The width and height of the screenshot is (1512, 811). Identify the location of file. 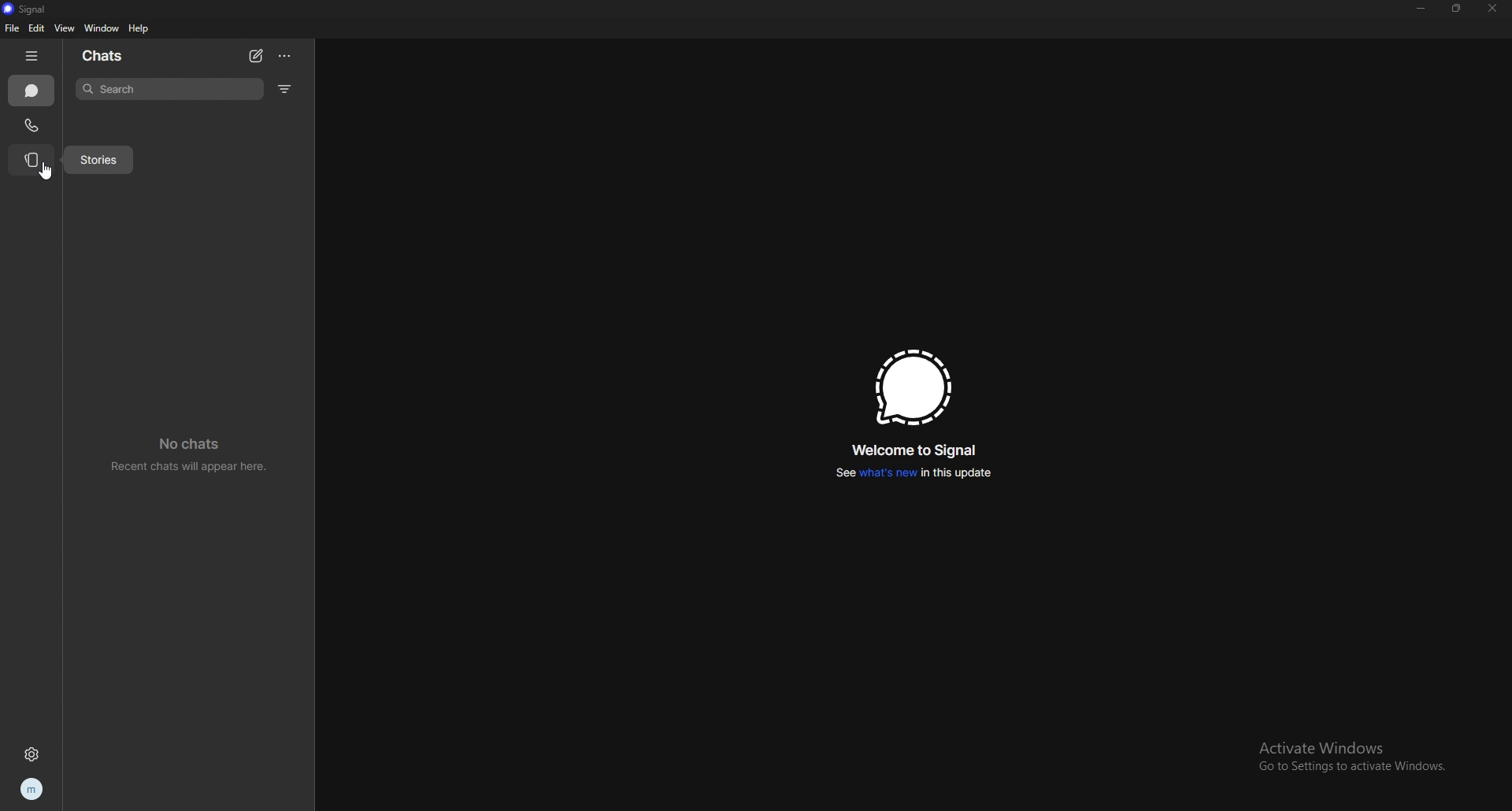
(11, 28).